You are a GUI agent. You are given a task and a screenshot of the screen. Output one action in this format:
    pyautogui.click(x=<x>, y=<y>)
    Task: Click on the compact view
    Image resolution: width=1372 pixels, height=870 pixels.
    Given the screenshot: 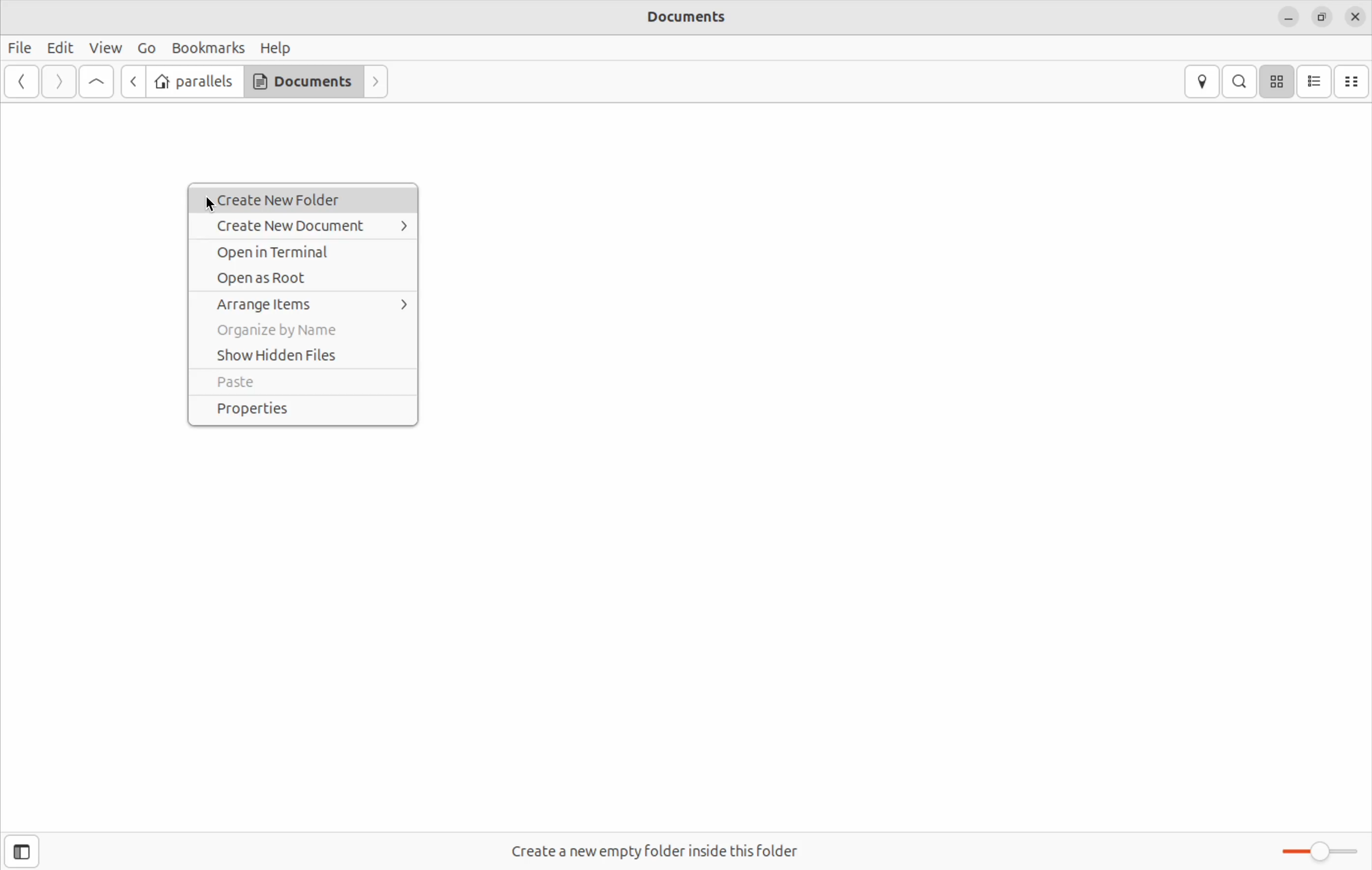 What is the action you would take?
    pyautogui.click(x=1355, y=80)
    